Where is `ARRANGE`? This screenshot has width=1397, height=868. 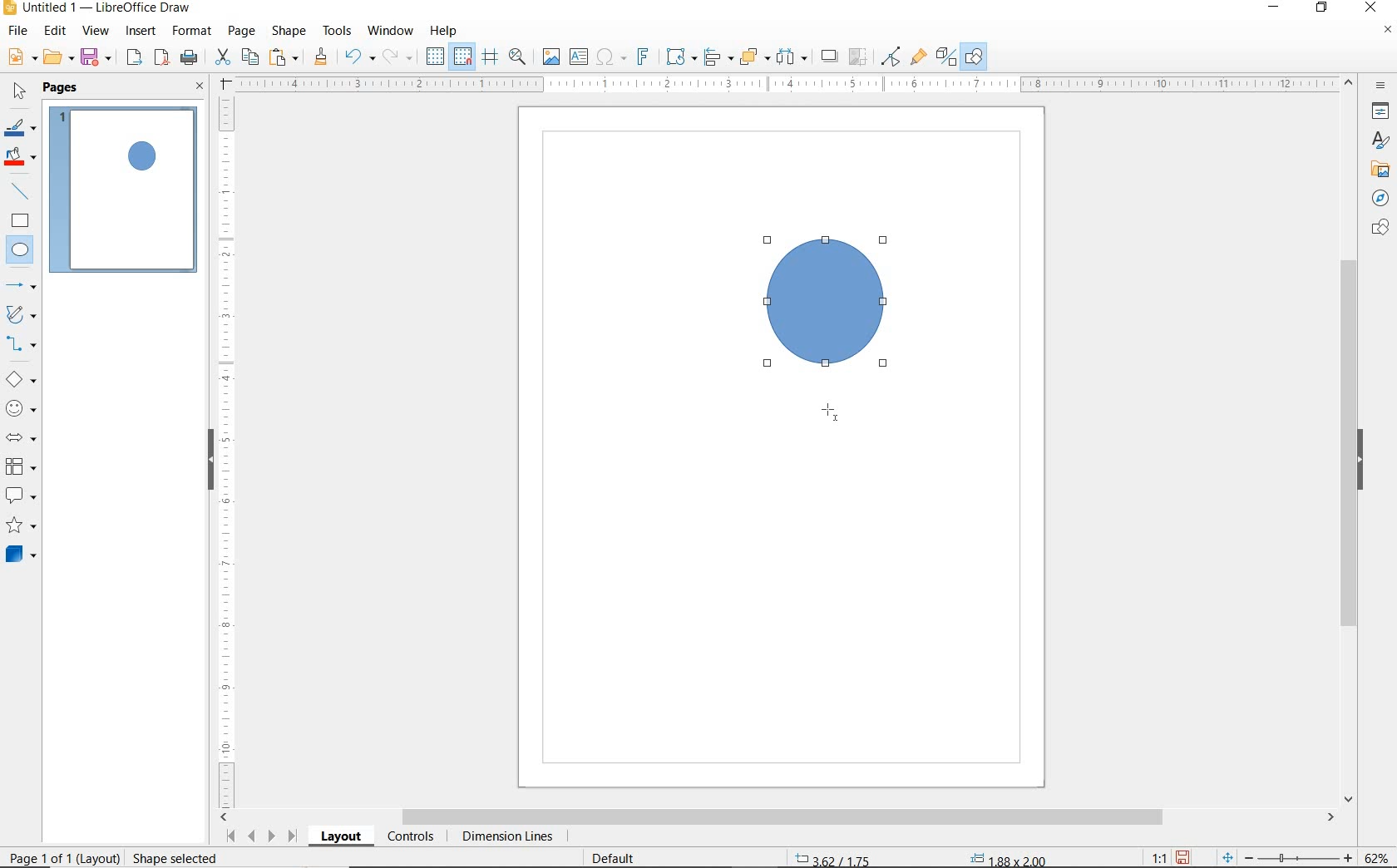
ARRANGE is located at coordinates (754, 57).